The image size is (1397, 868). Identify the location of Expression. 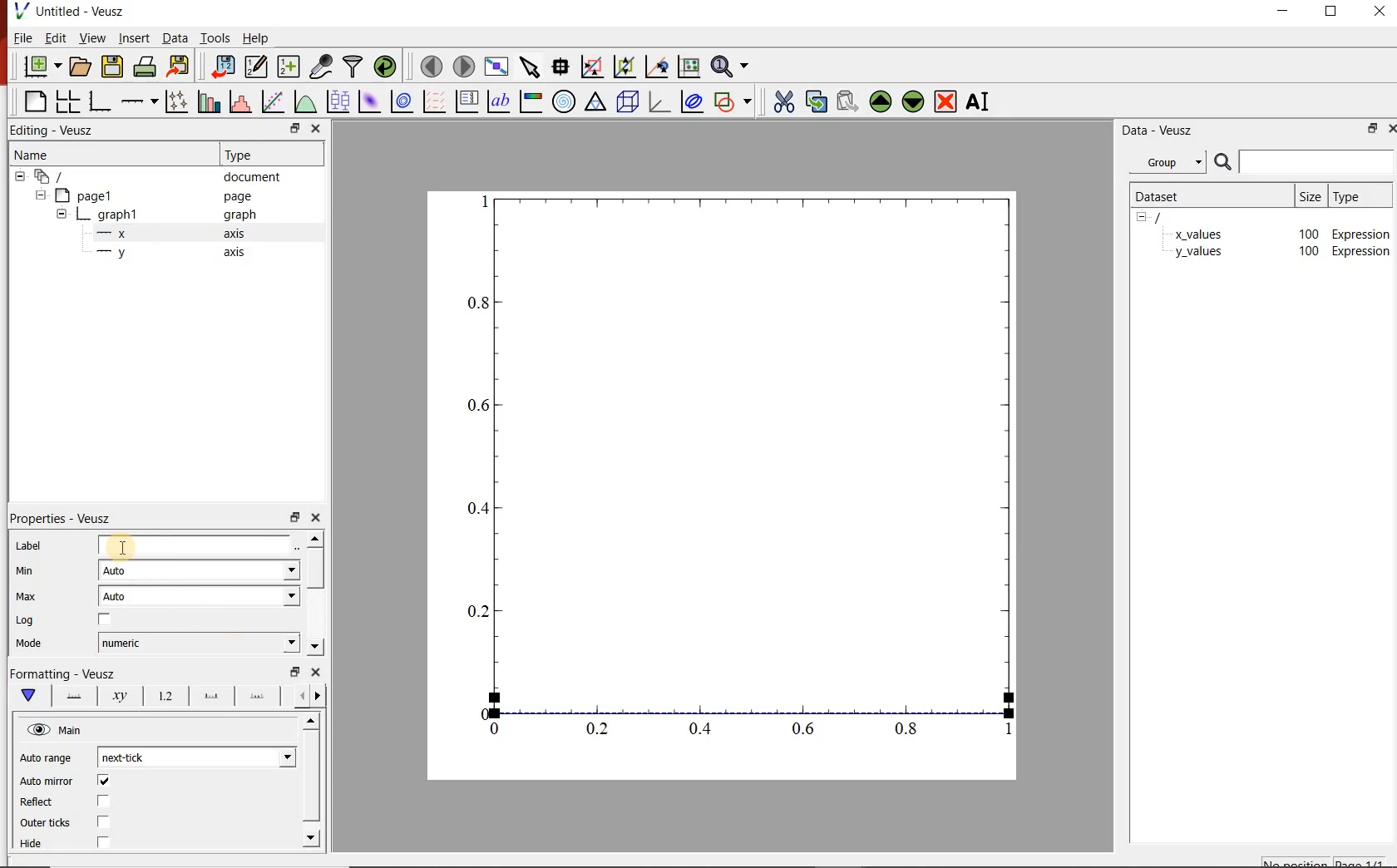
(1361, 252).